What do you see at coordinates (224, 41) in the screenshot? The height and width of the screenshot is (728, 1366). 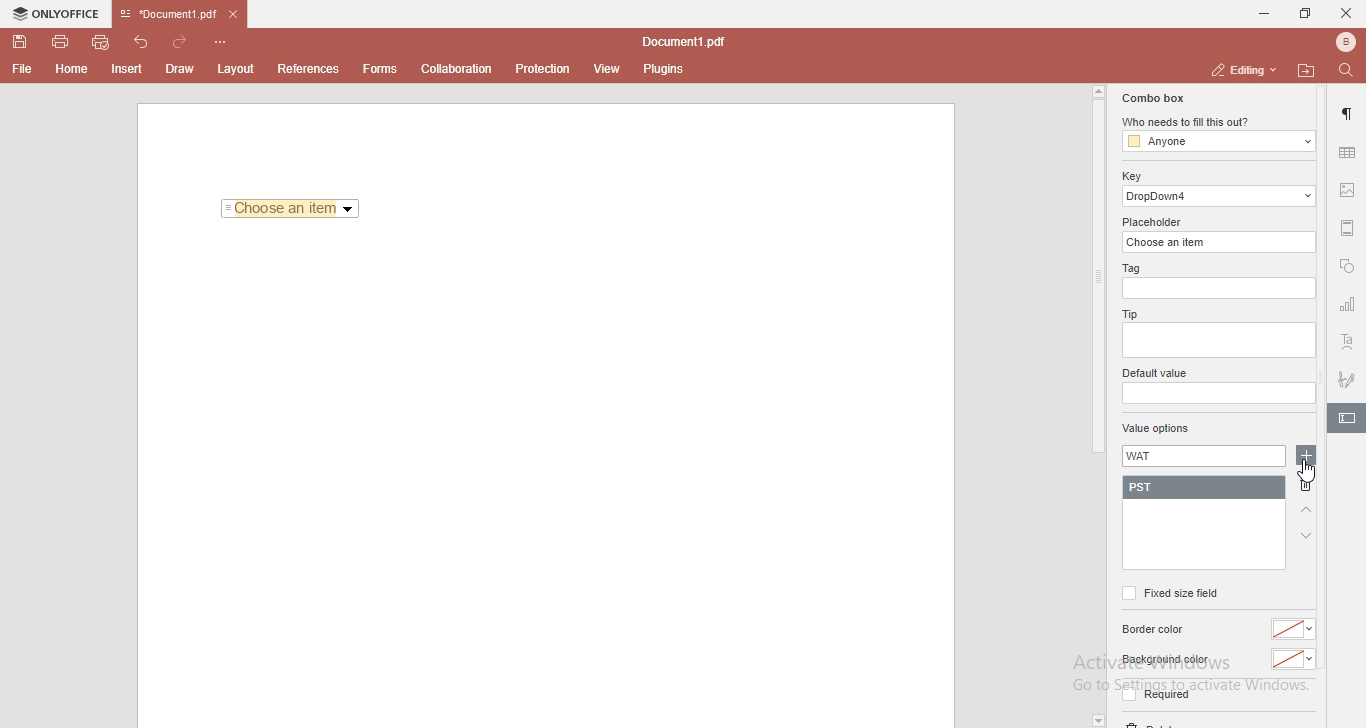 I see `customise quick access toolbar` at bounding box center [224, 41].